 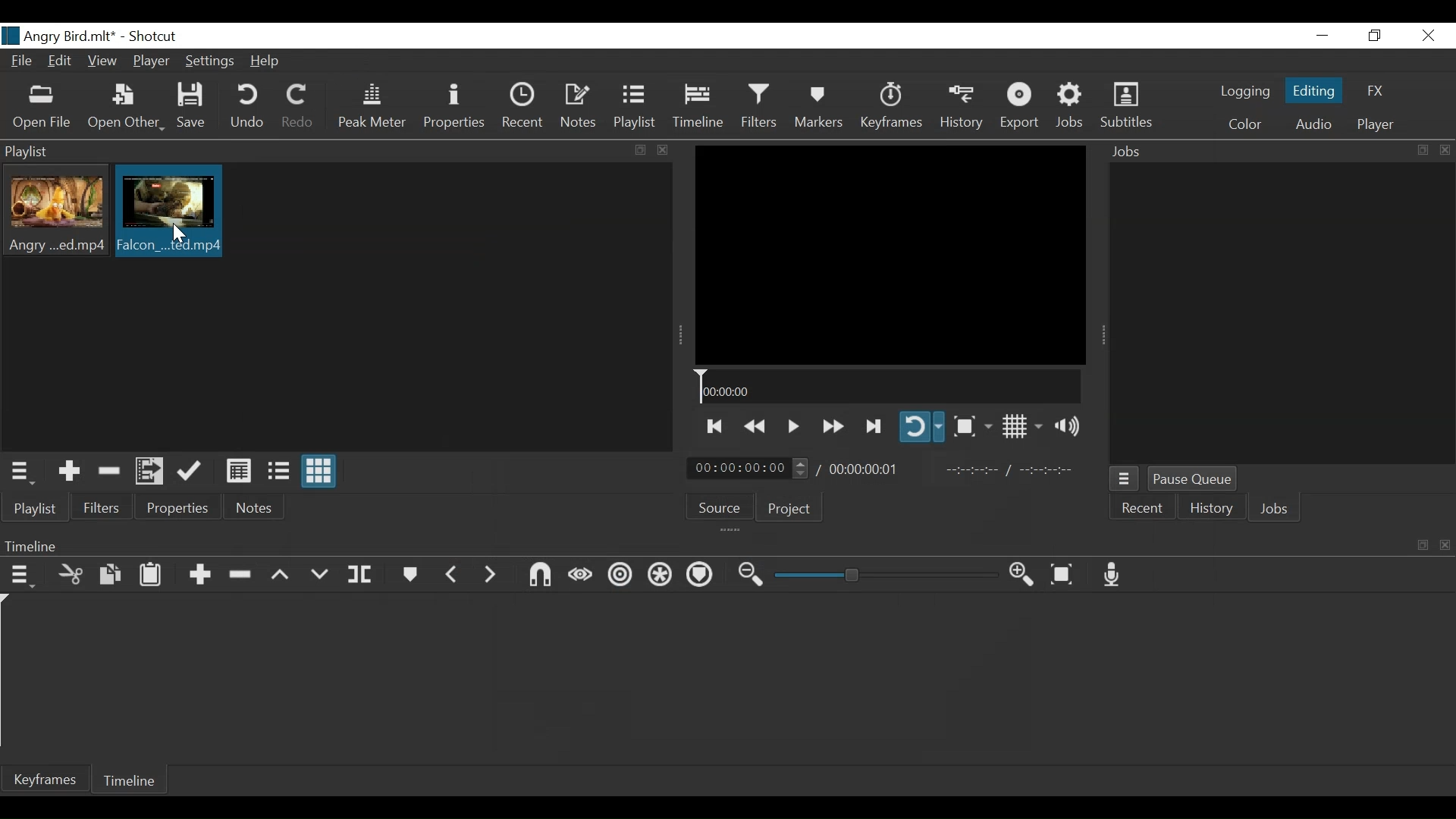 What do you see at coordinates (1313, 126) in the screenshot?
I see `Audio` at bounding box center [1313, 126].